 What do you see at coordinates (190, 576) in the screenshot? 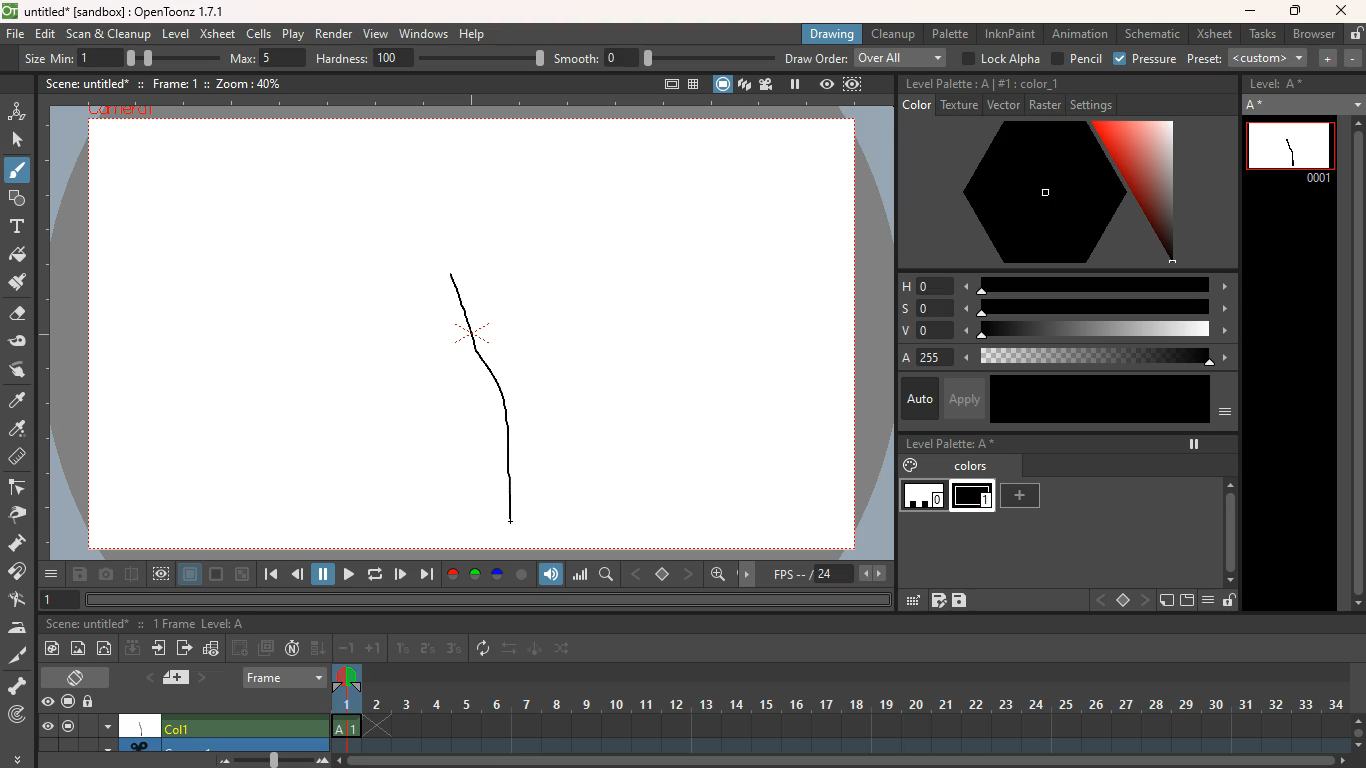
I see `layer` at bounding box center [190, 576].